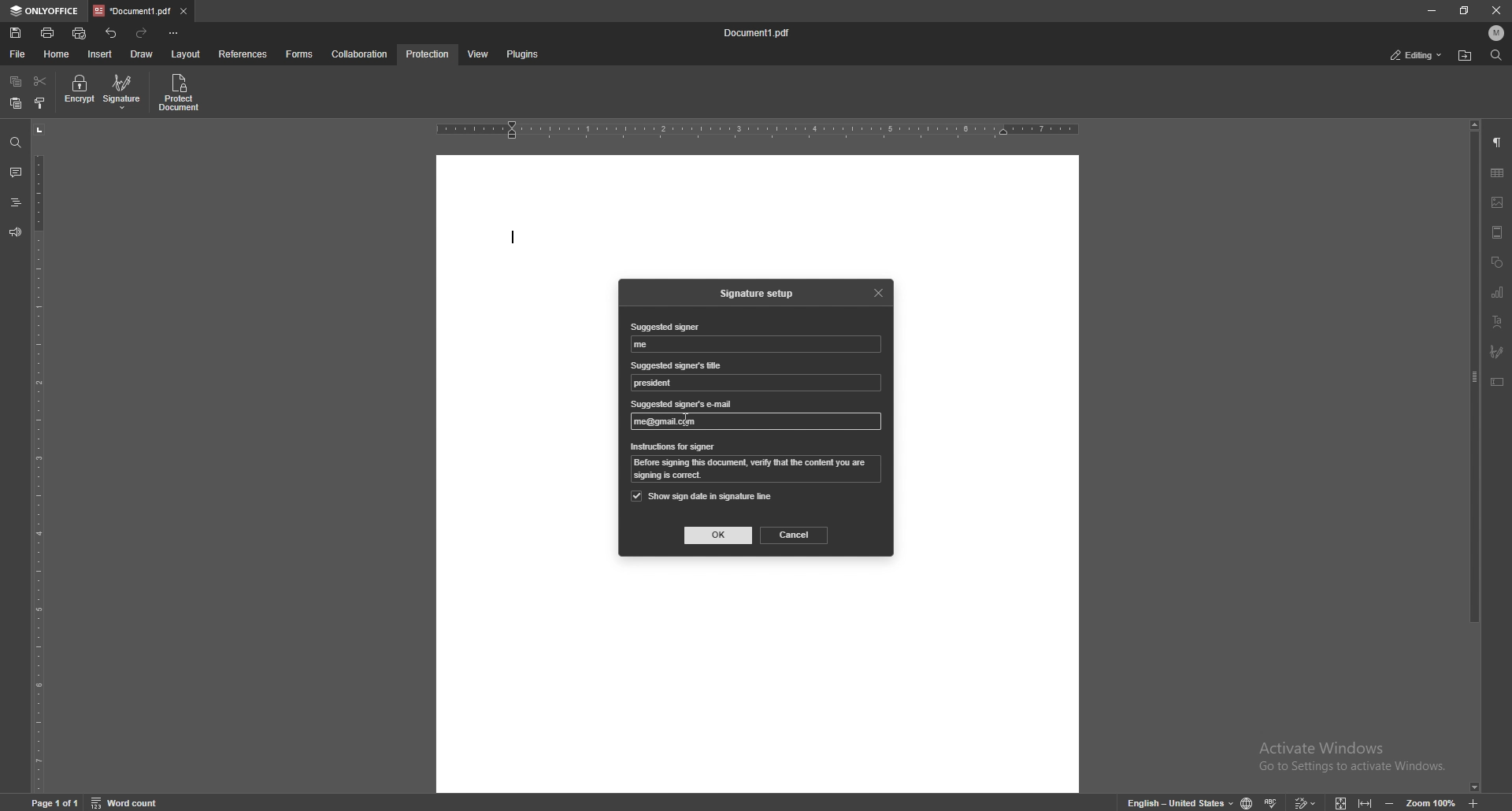  Describe the element at coordinates (1487, 803) in the screenshot. I see `zoom in` at that location.